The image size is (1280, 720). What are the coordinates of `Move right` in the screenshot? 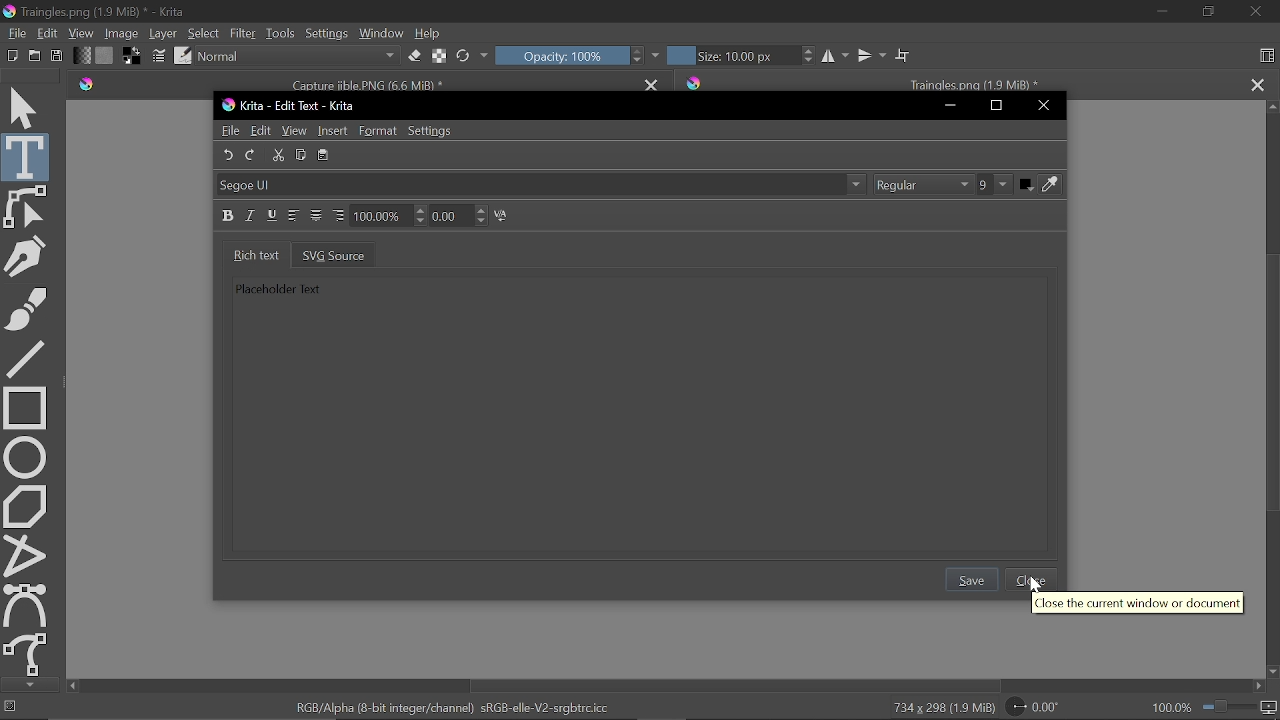 It's located at (1256, 687).